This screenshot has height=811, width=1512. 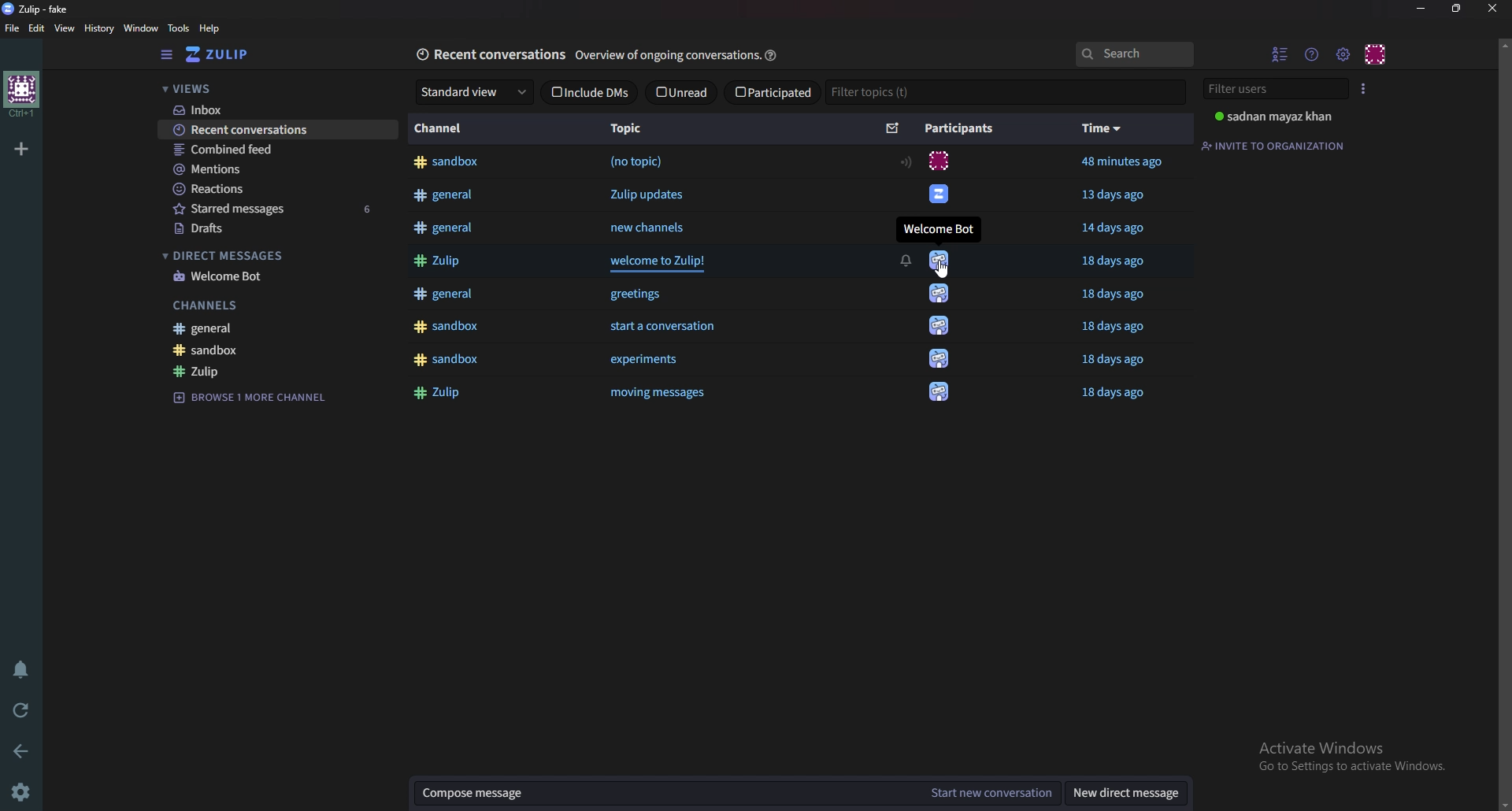 I want to click on 13 days ago, so click(x=1118, y=194).